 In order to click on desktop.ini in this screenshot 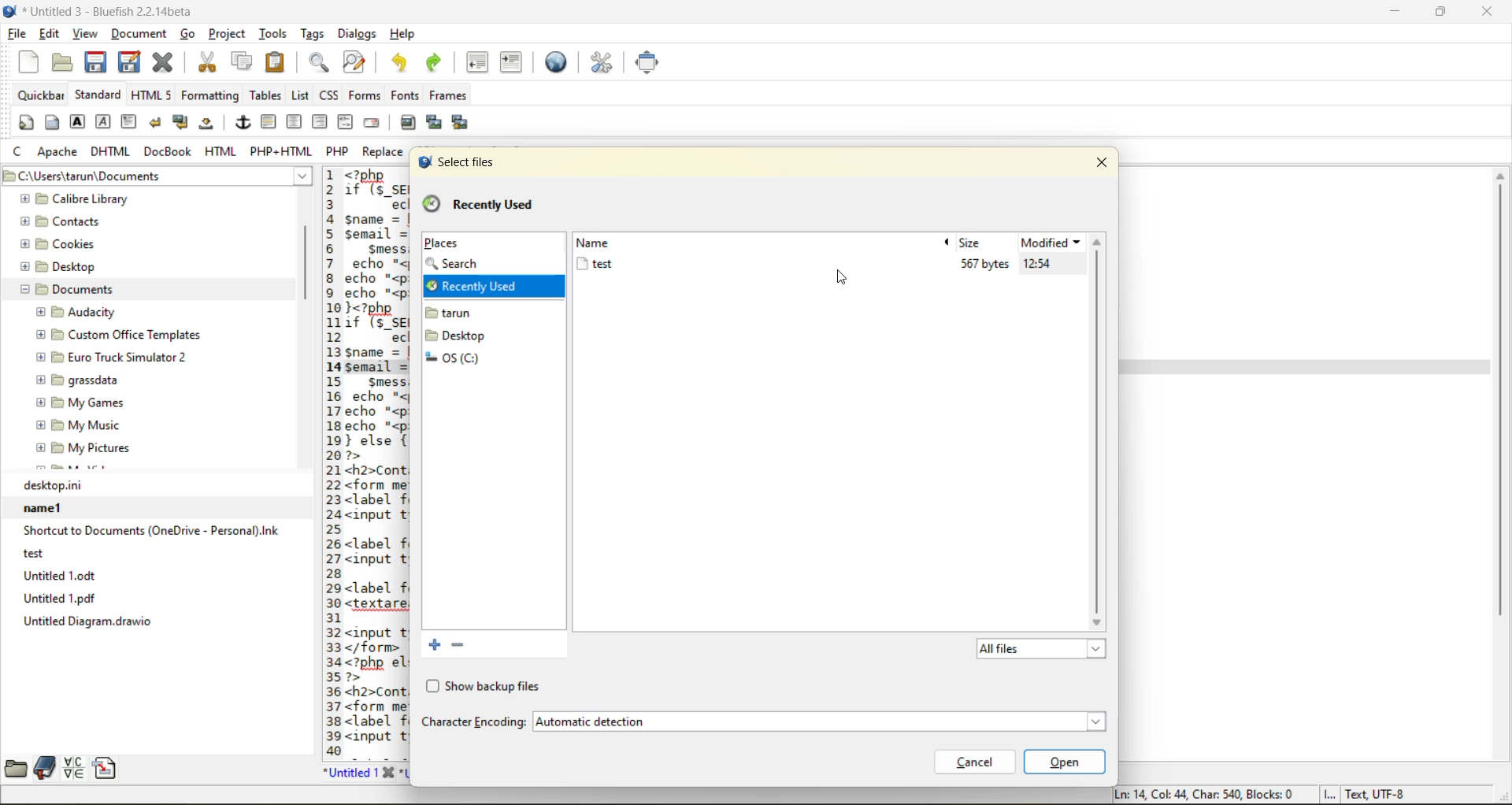, I will do `click(157, 485)`.